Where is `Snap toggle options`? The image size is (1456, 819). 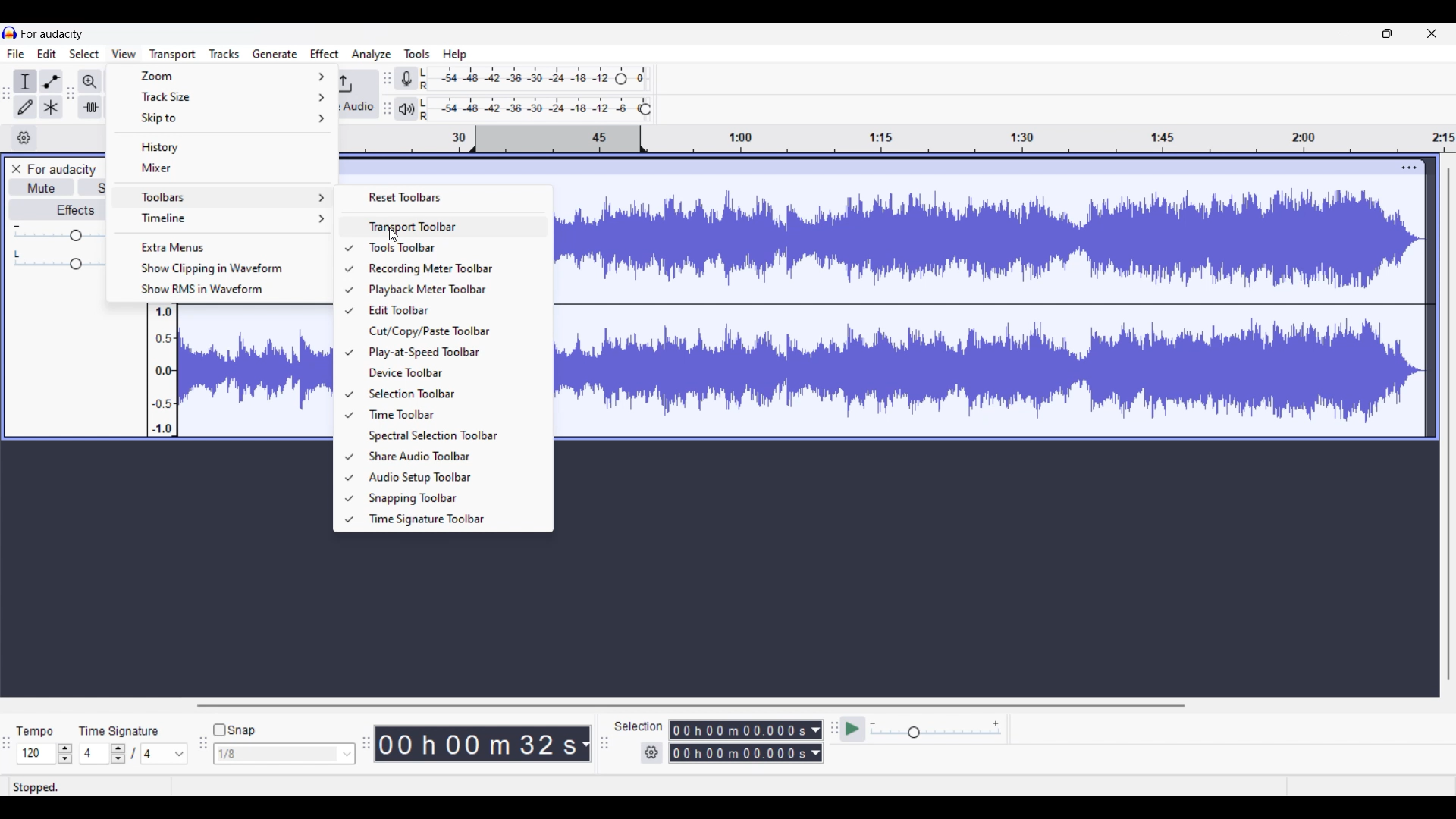
Snap toggle options is located at coordinates (284, 753).